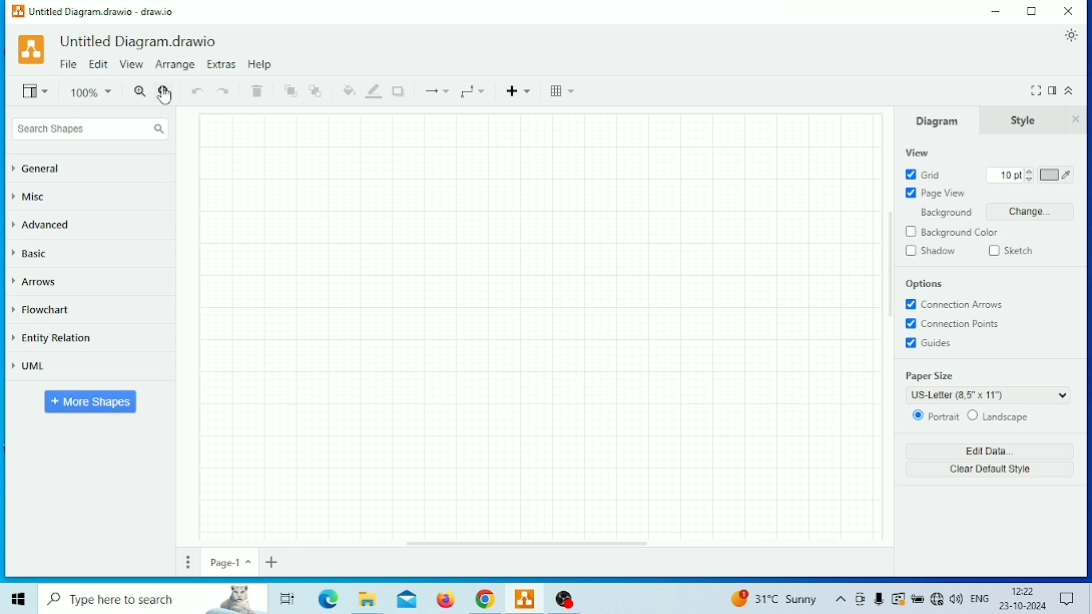  I want to click on untitled diagram. draw.io, so click(140, 41).